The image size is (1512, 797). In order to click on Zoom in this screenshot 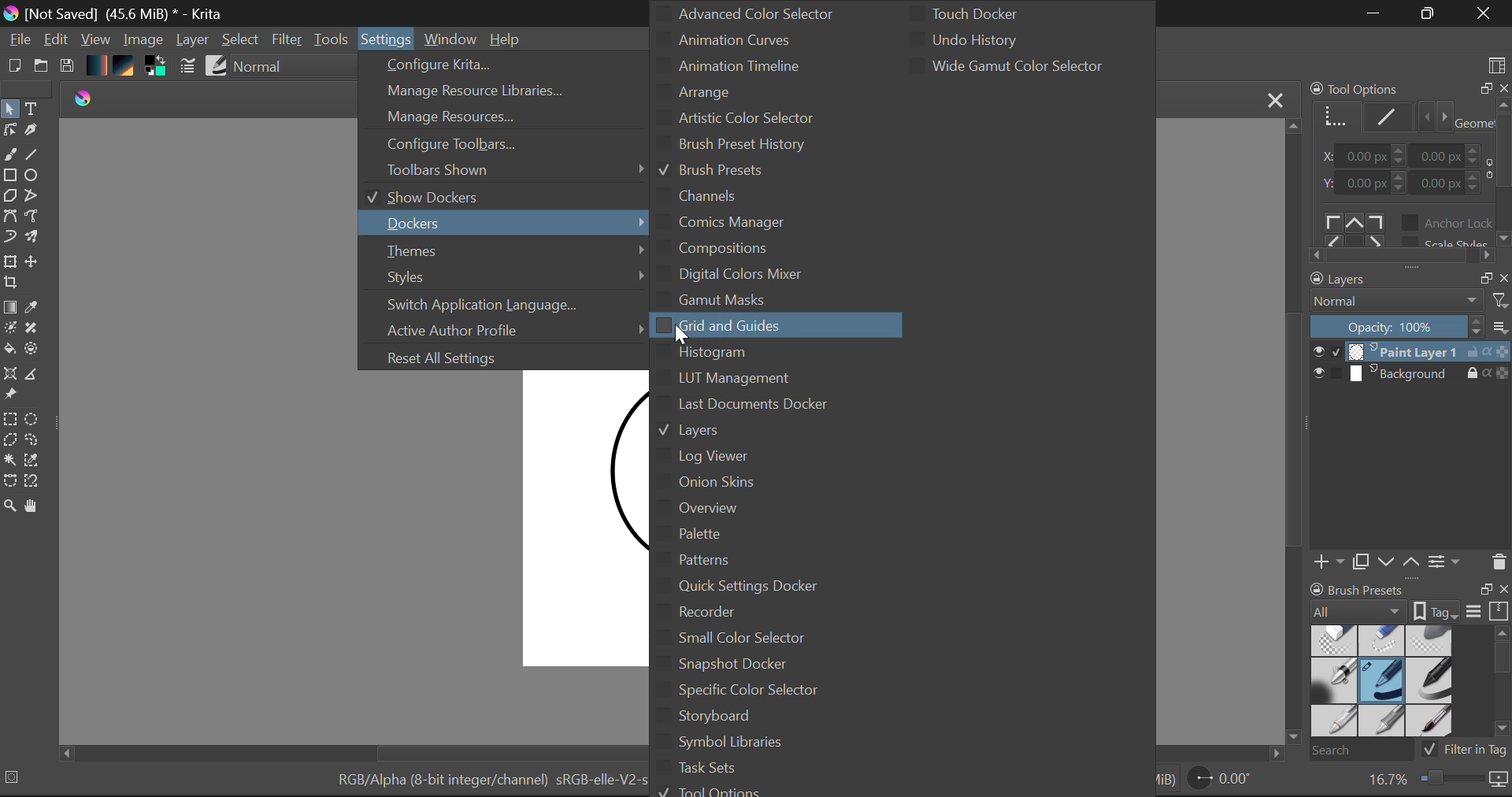, I will do `click(1436, 780)`.